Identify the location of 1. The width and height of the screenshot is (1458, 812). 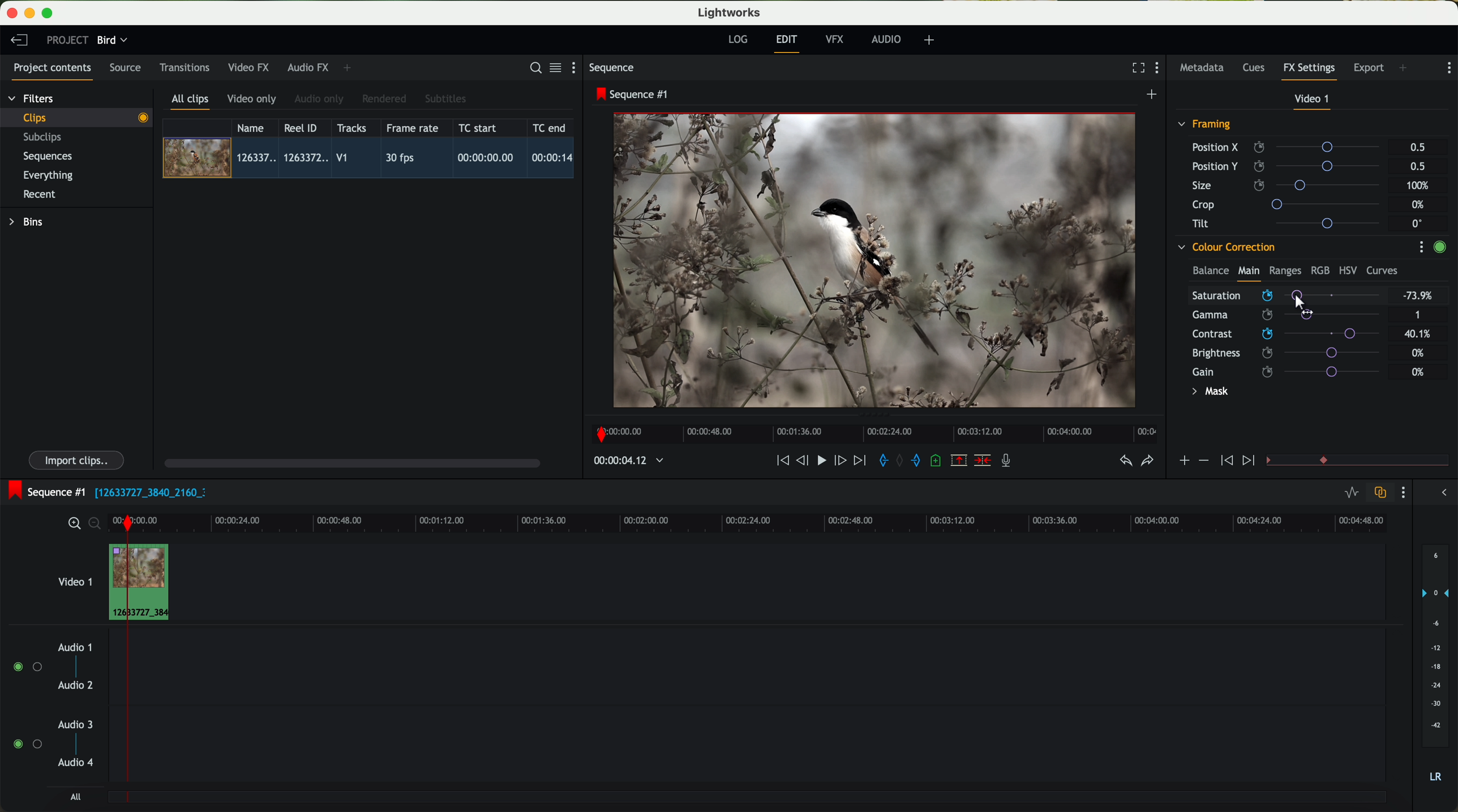
(1418, 316).